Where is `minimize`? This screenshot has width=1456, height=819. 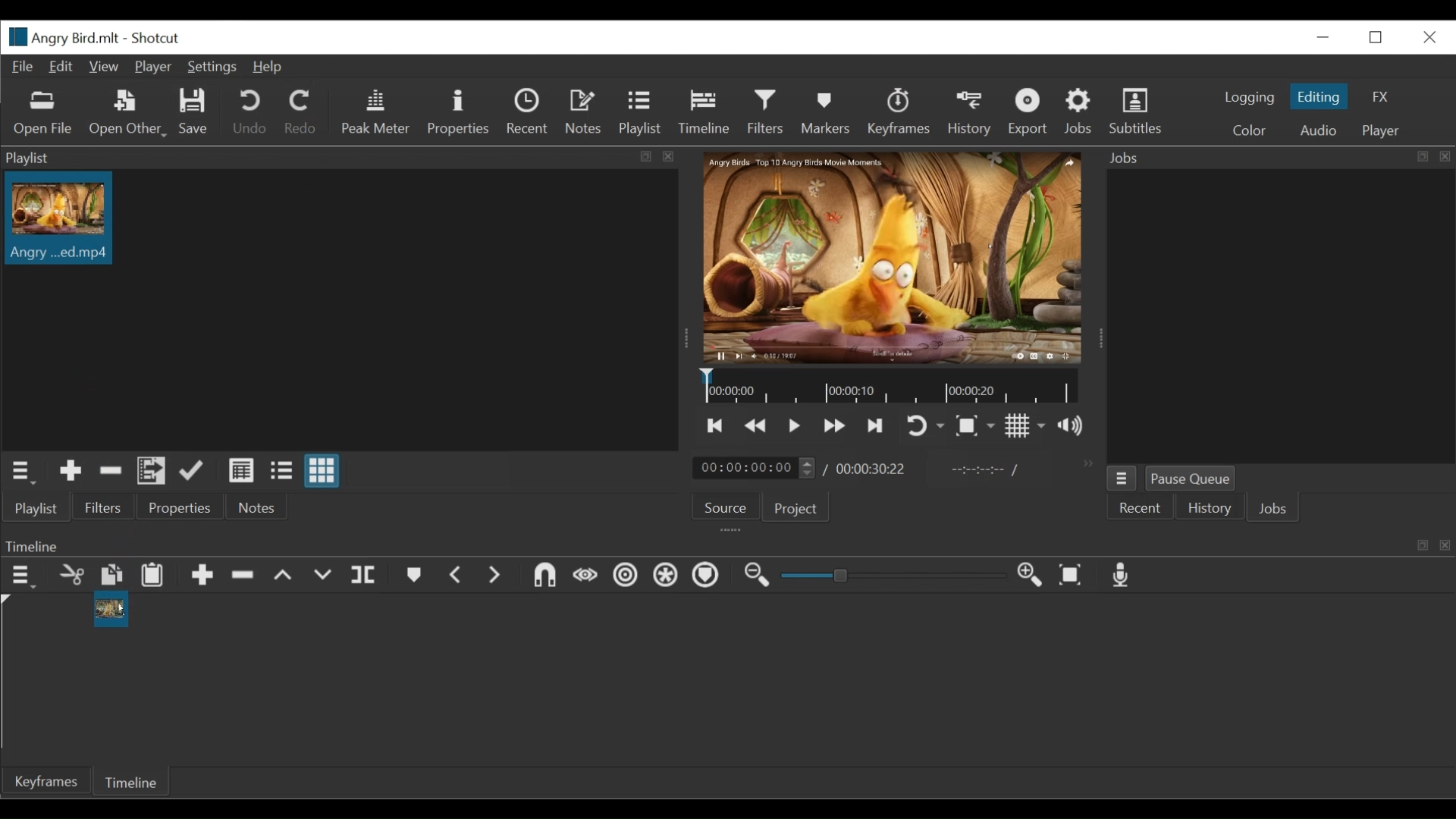 minimize is located at coordinates (1322, 37).